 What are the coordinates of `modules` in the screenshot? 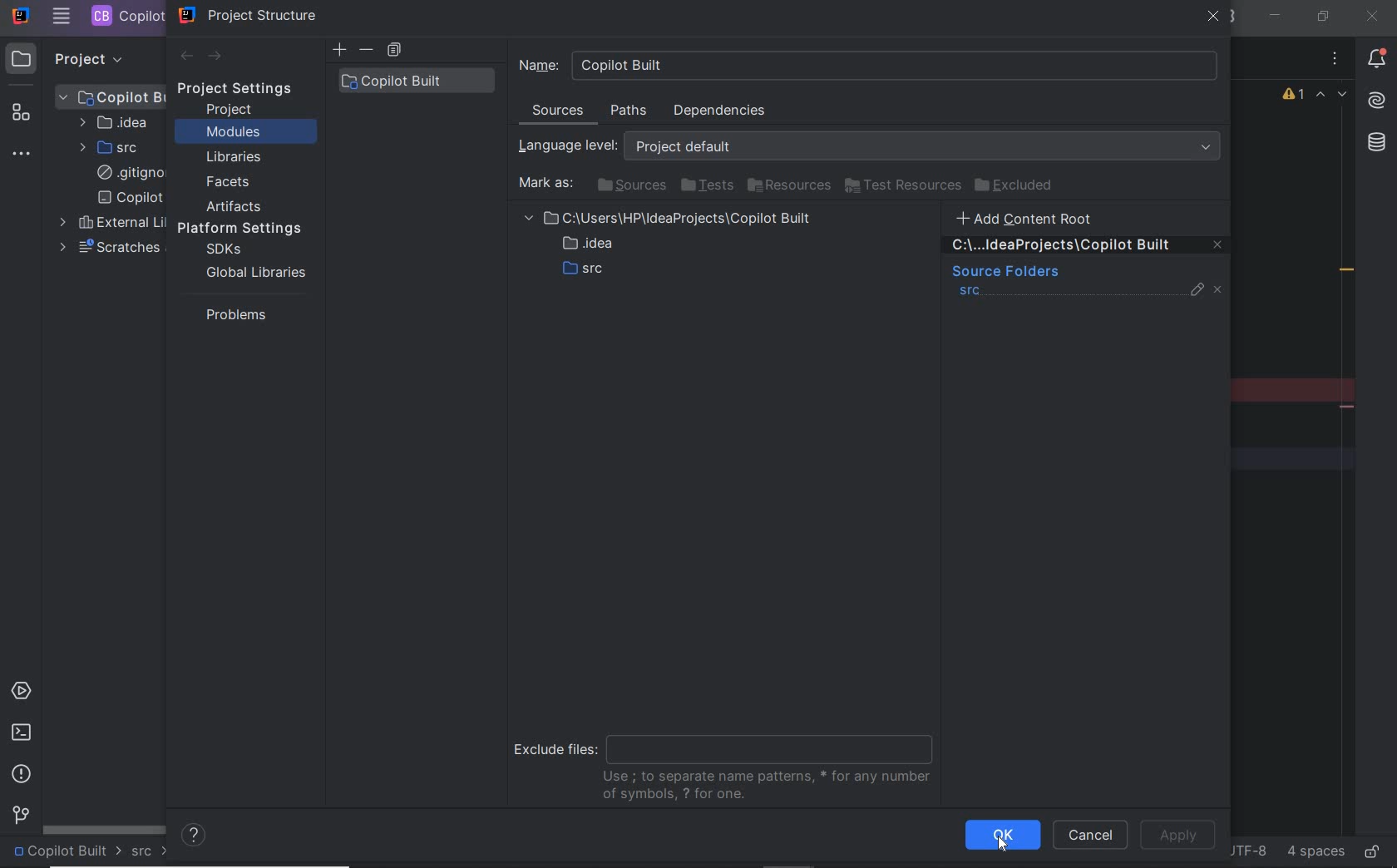 It's located at (233, 133).